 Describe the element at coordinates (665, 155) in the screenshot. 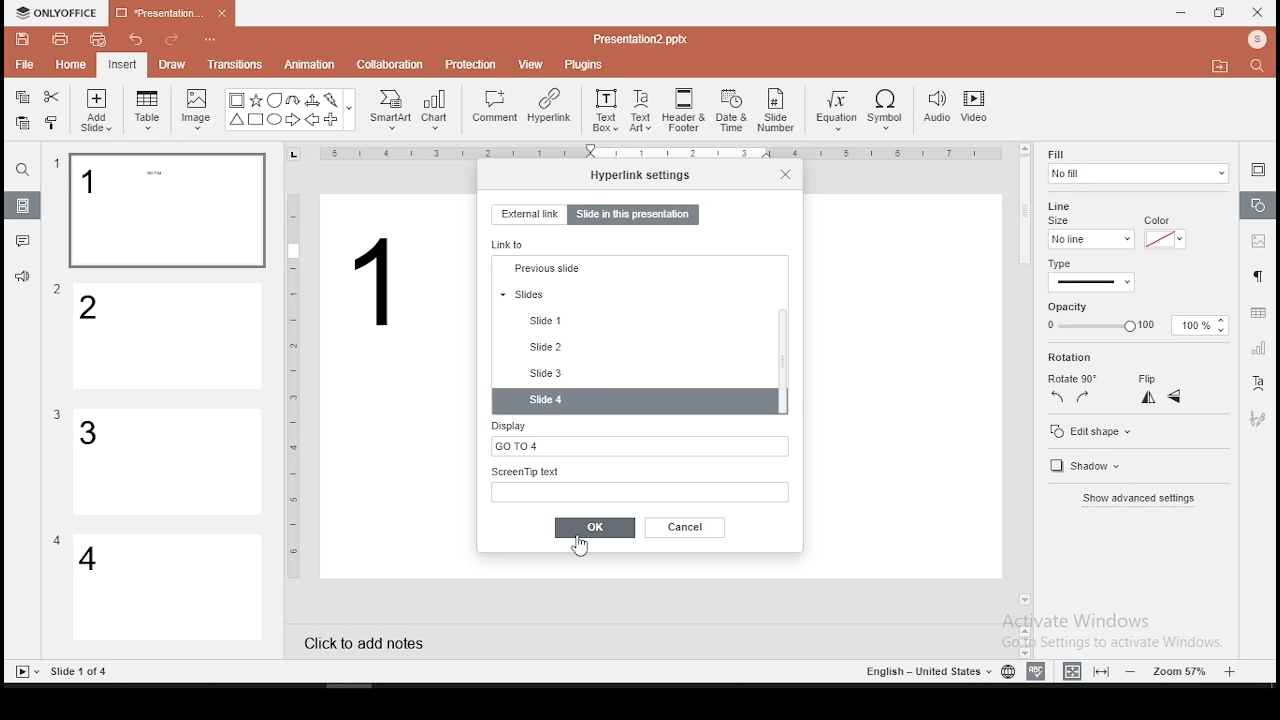

I see `` at that location.